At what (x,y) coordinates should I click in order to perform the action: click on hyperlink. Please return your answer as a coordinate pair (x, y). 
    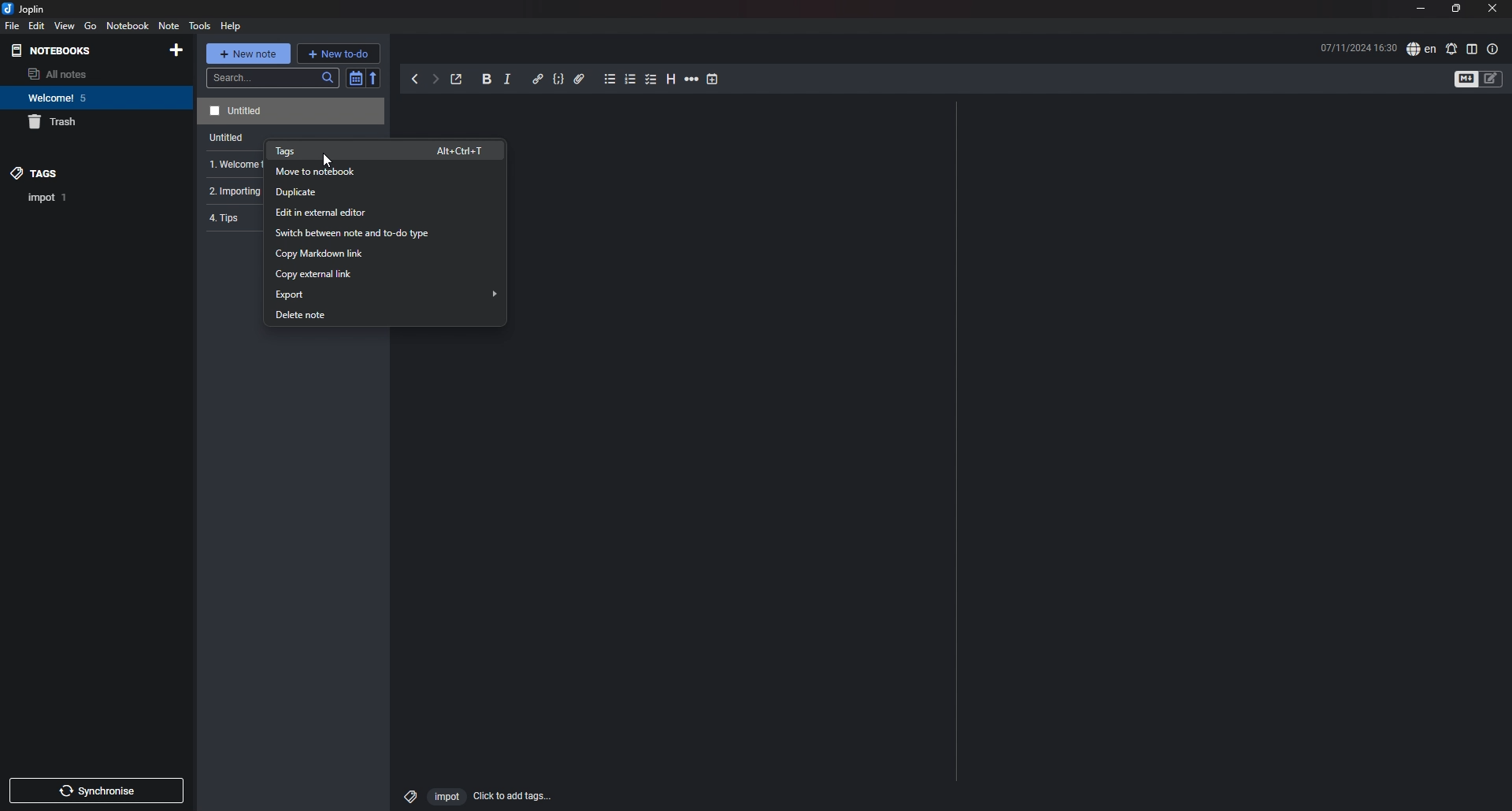
    Looking at the image, I should click on (537, 78).